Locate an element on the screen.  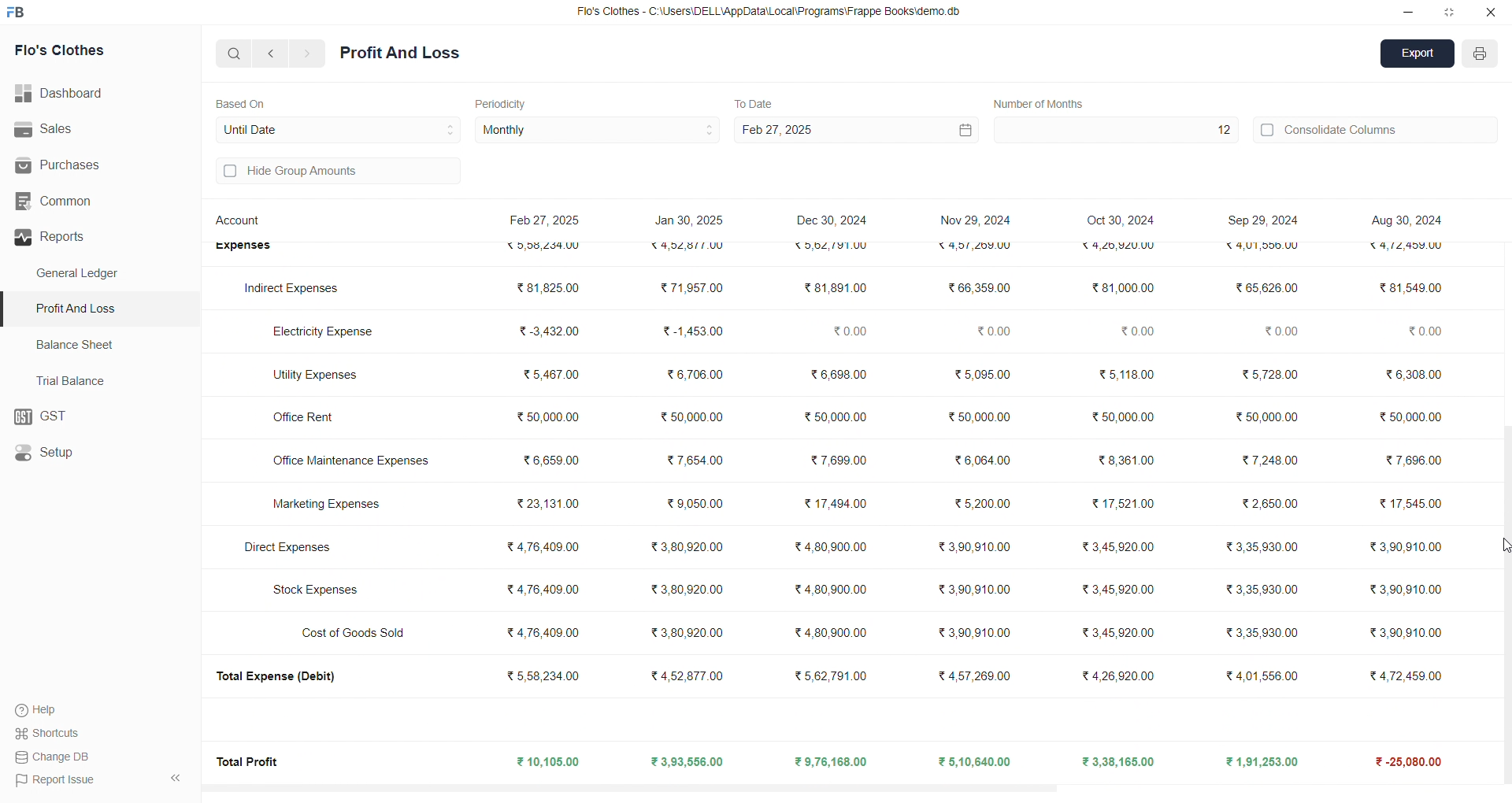
₹4,52,877.00 is located at coordinates (691, 248).